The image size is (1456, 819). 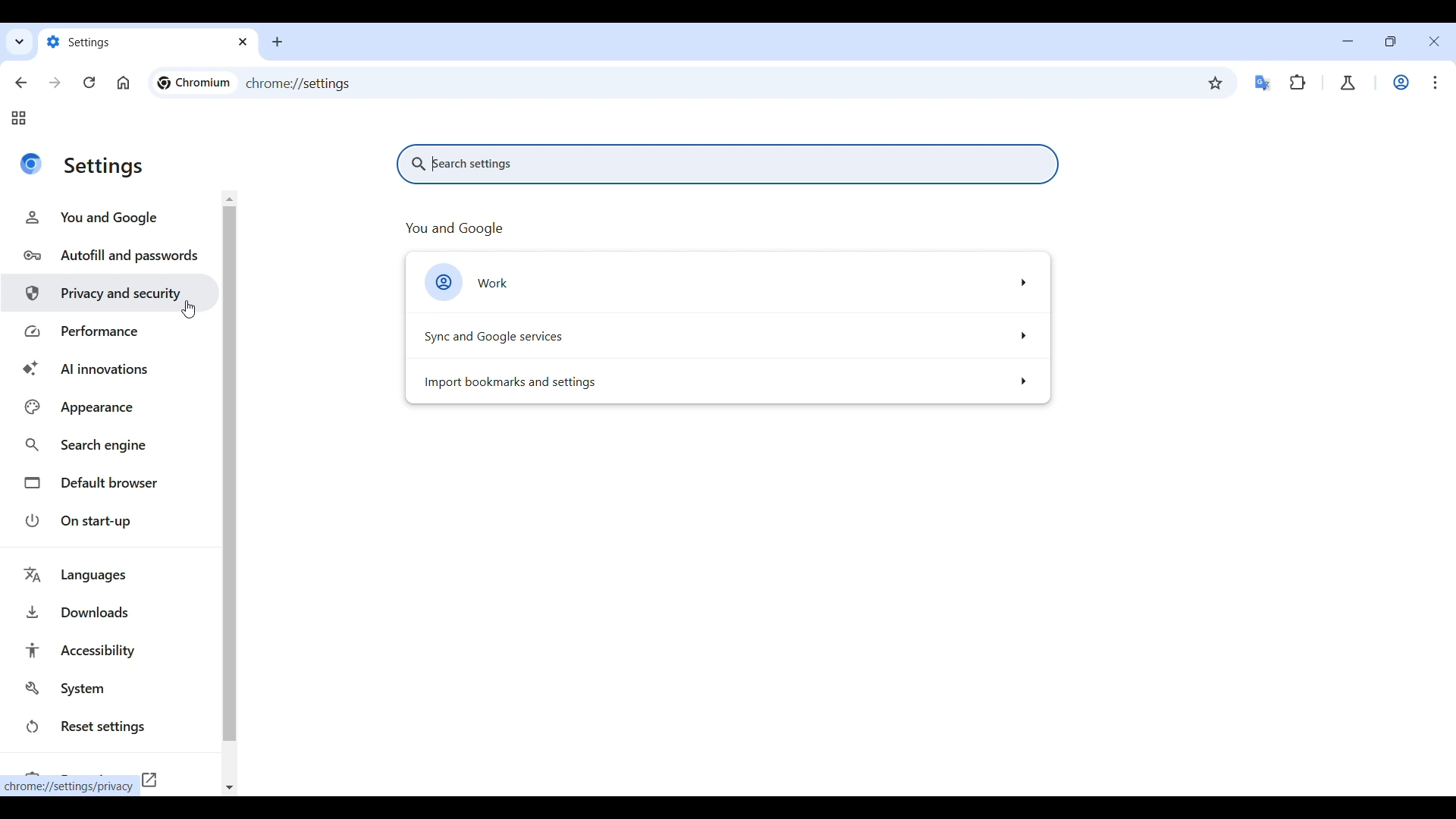 I want to click on Google translator extension, so click(x=1263, y=83).